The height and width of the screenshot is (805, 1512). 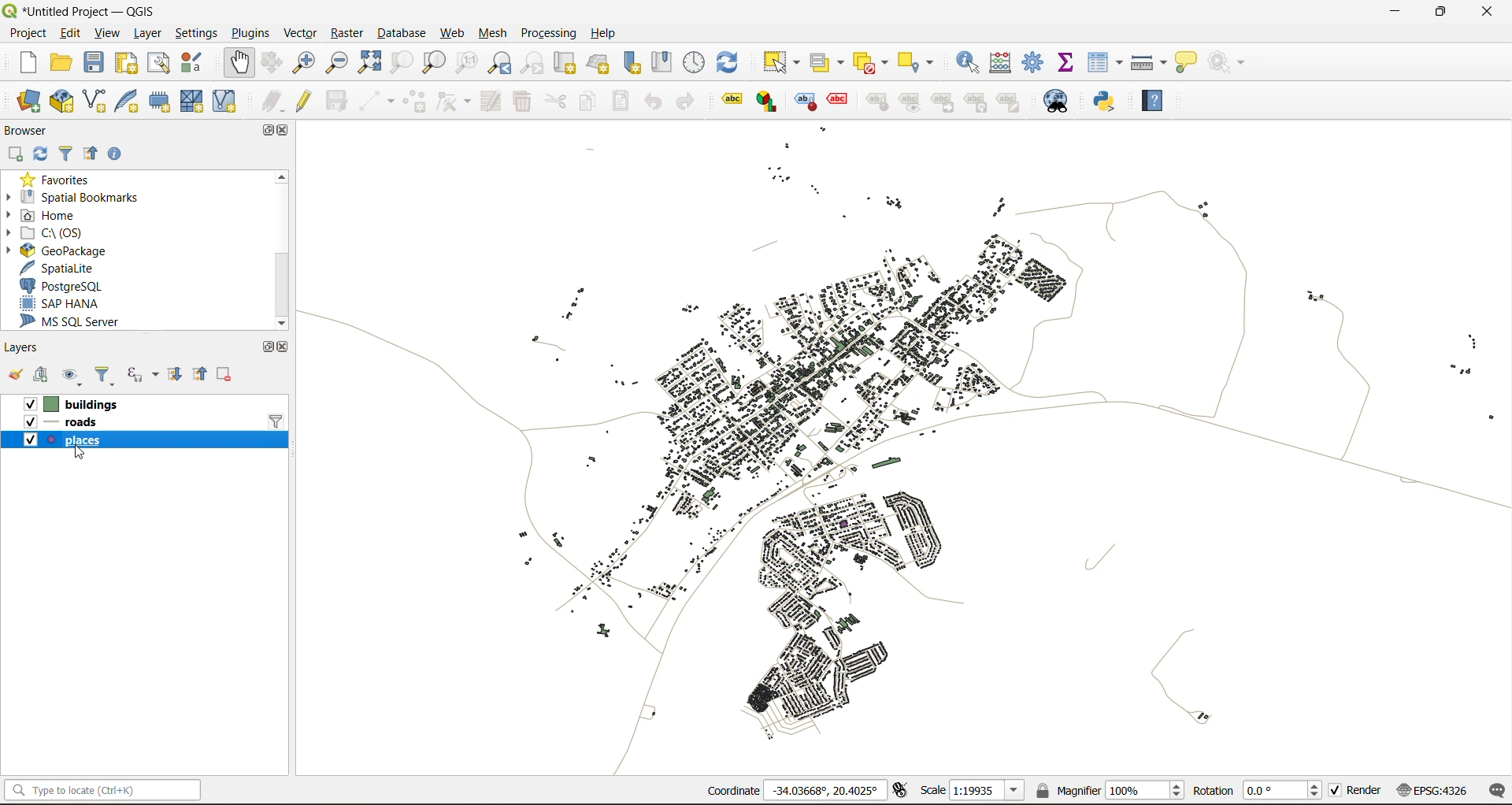 What do you see at coordinates (695, 61) in the screenshot?
I see `control panel` at bounding box center [695, 61].